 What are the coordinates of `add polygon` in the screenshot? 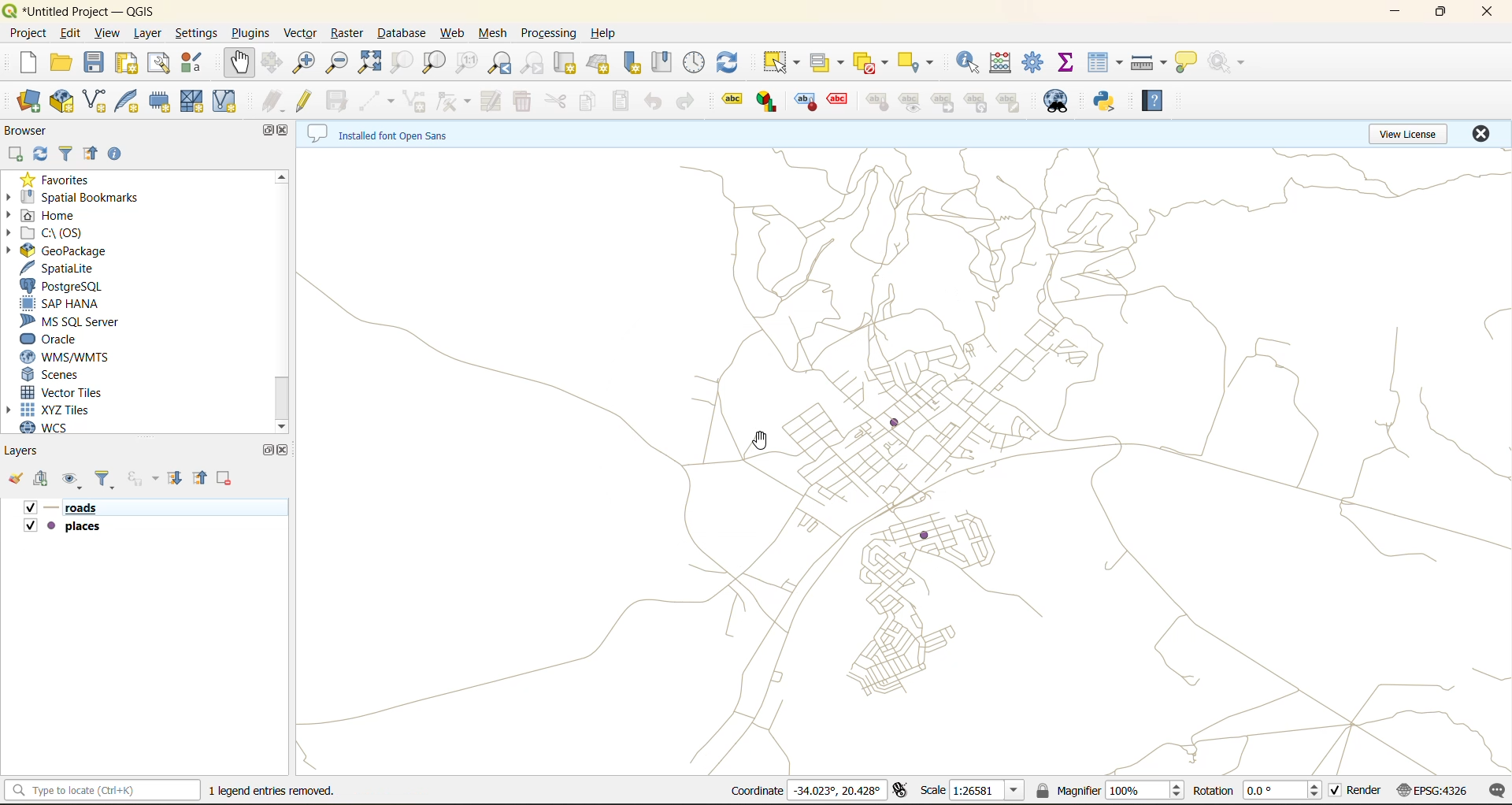 It's located at (418, 101).